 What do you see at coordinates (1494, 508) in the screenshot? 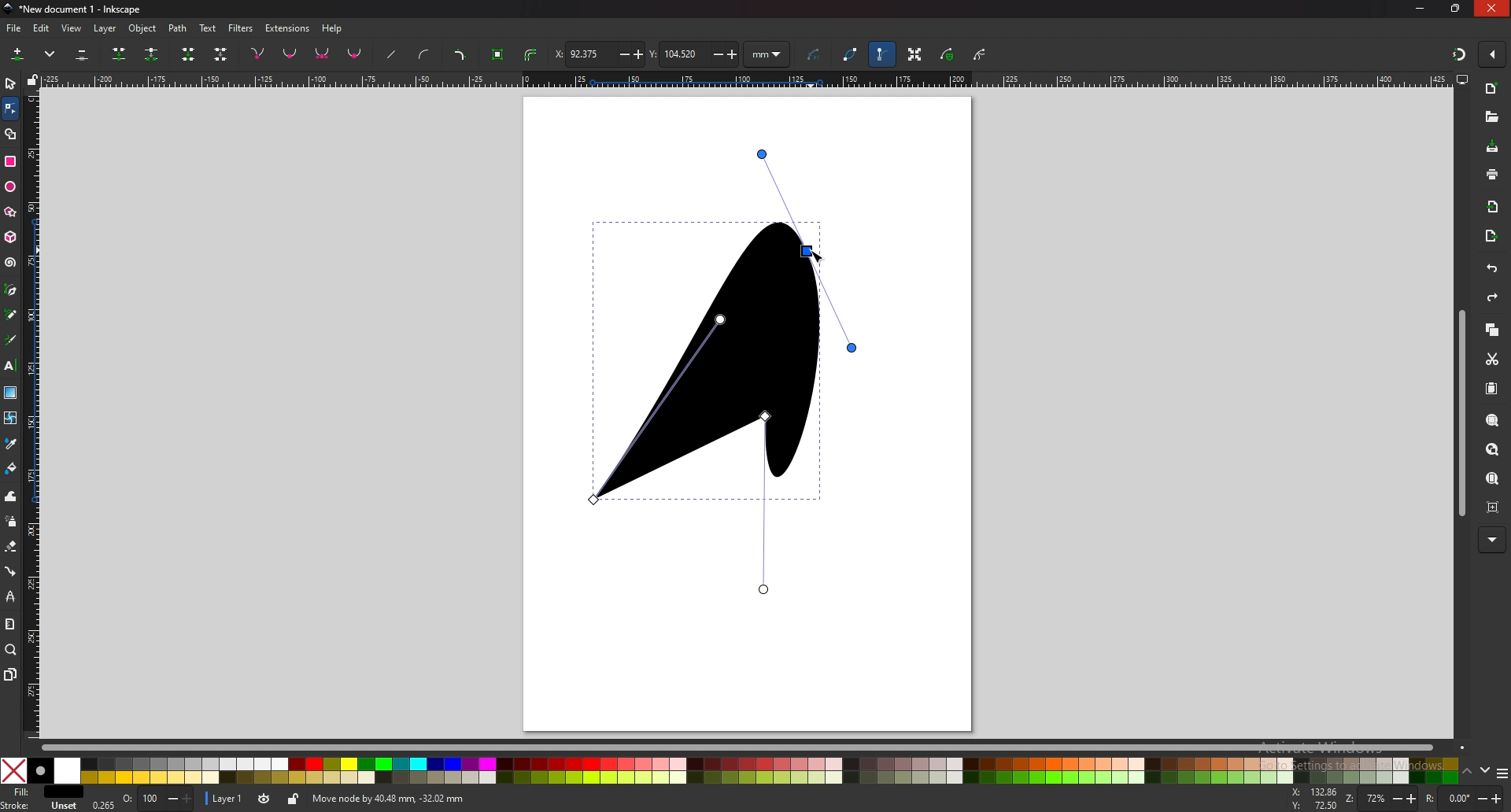
I see `zoom centre page` at bounding box center [1494, 508].